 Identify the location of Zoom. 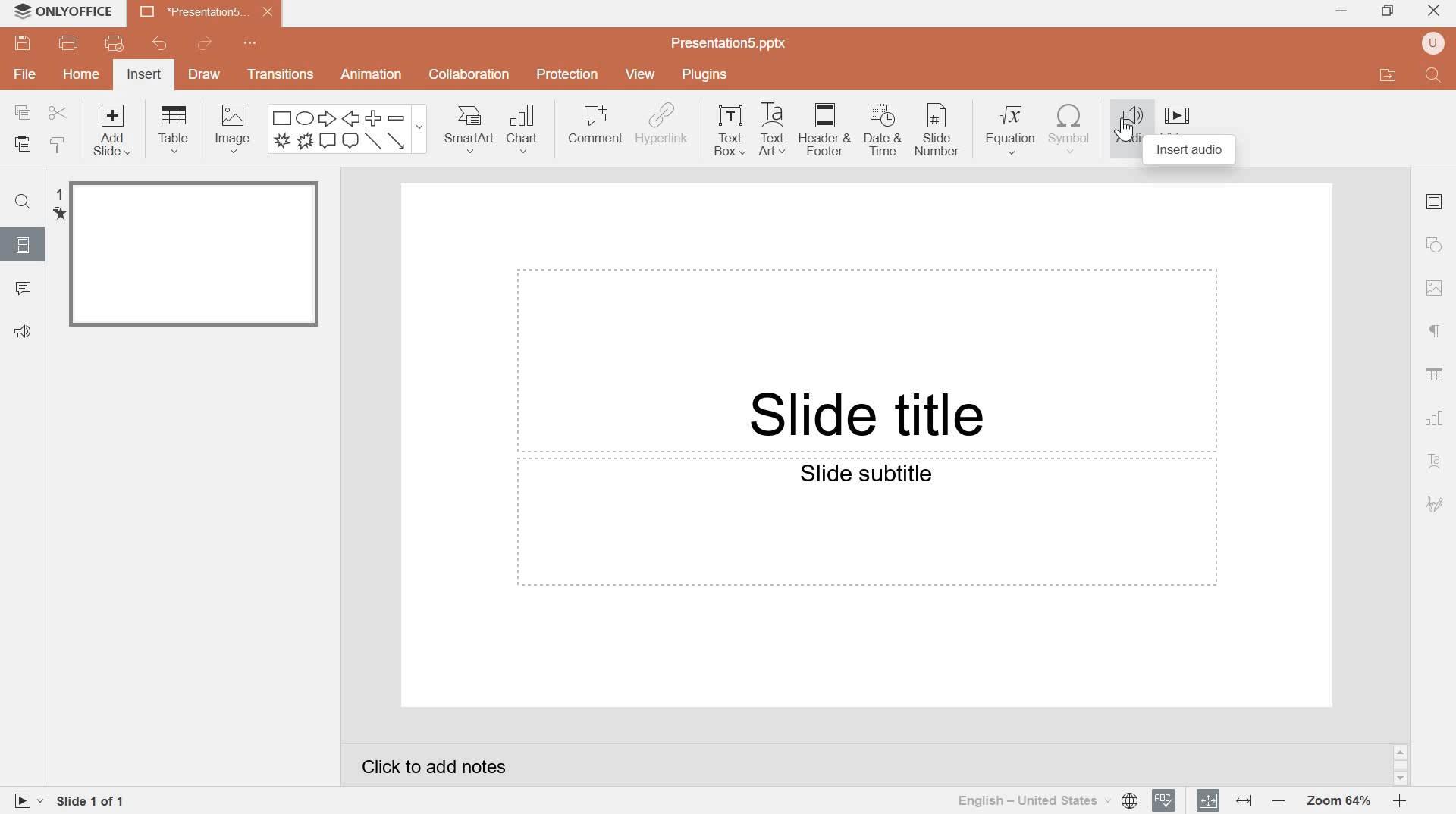
(1337, 802).